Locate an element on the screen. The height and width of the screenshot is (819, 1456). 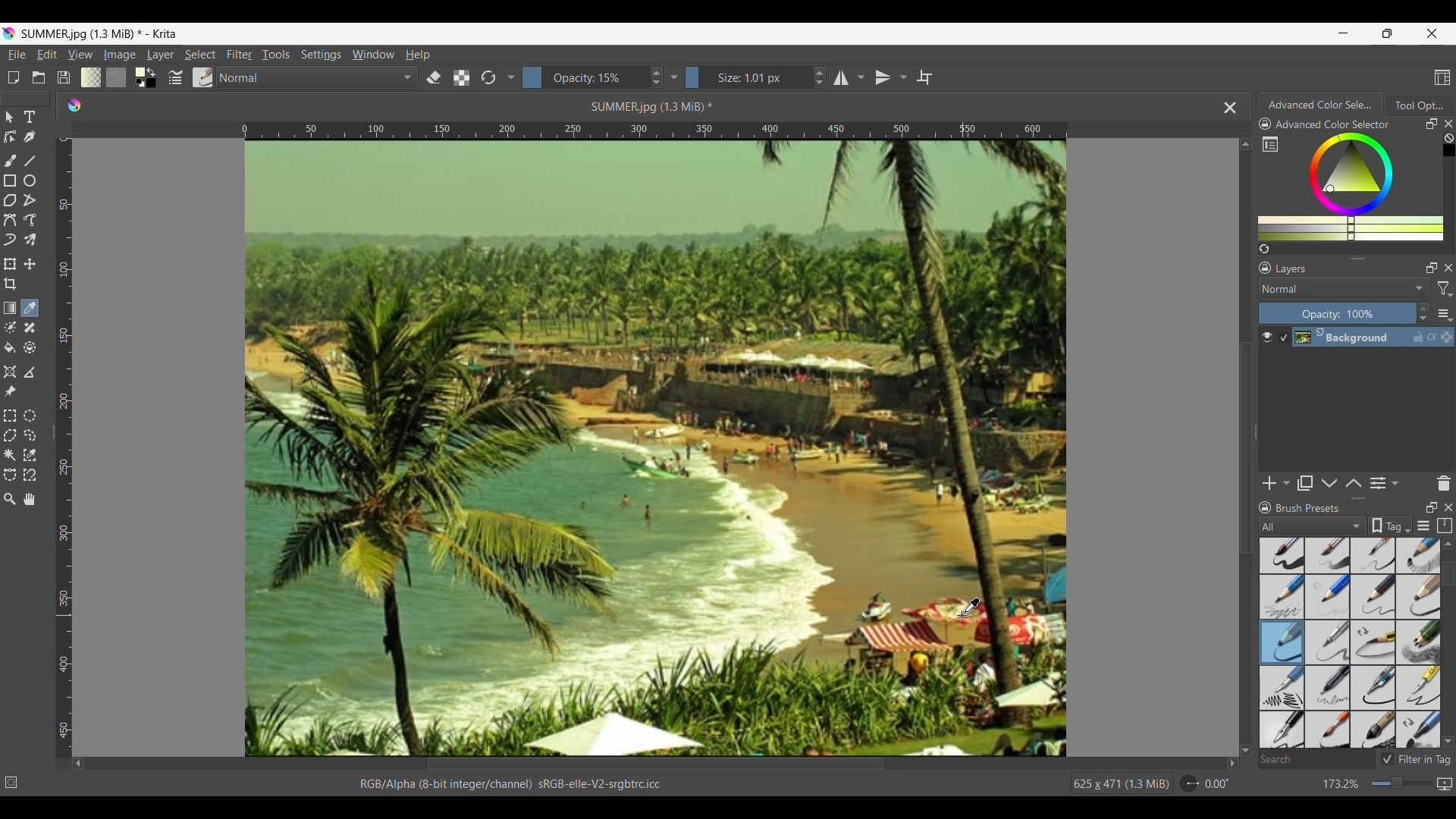
Contiguous selection tool is located at coordinates (9, 456).